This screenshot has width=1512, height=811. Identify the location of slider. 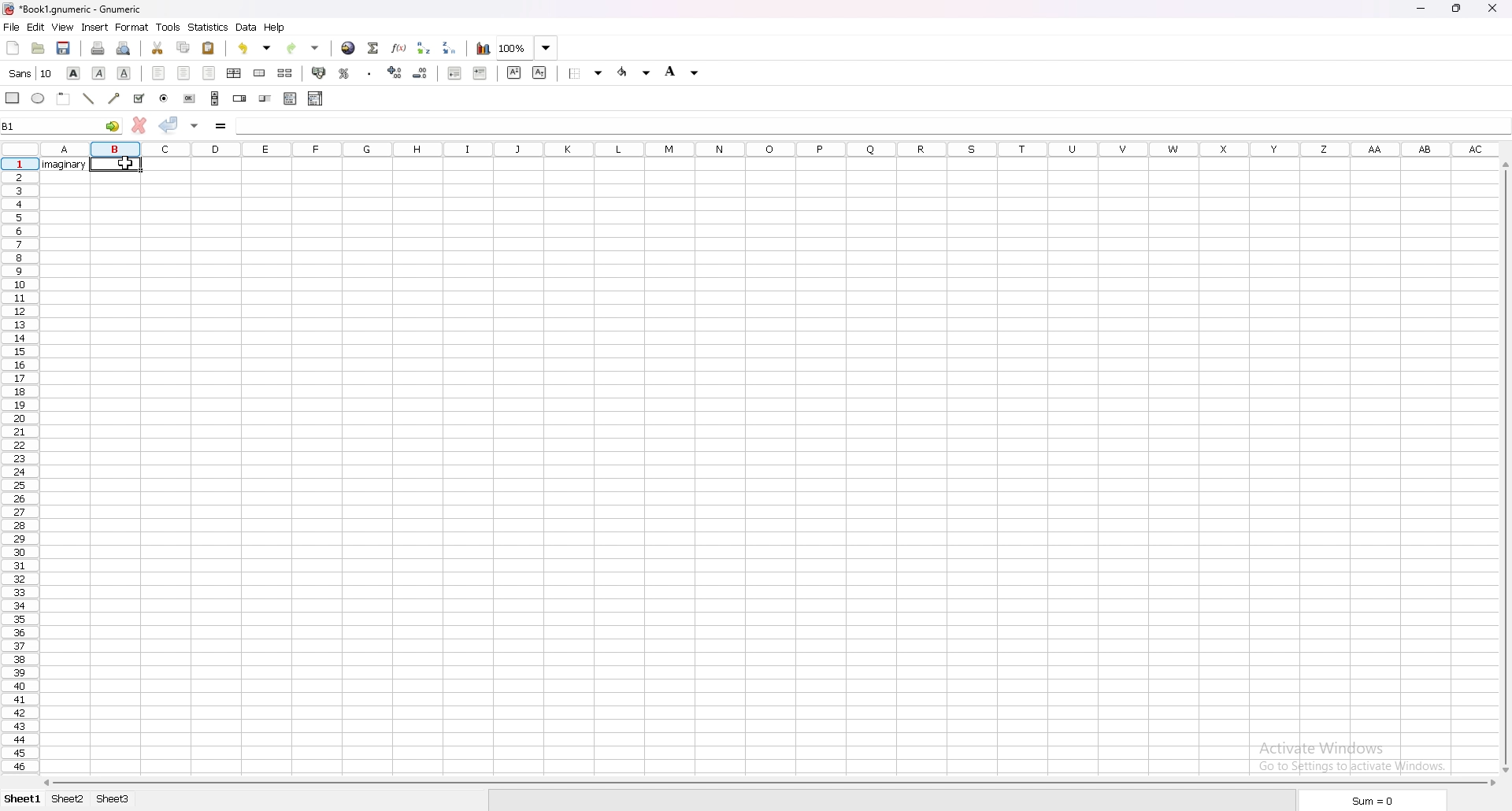
(266, 98).